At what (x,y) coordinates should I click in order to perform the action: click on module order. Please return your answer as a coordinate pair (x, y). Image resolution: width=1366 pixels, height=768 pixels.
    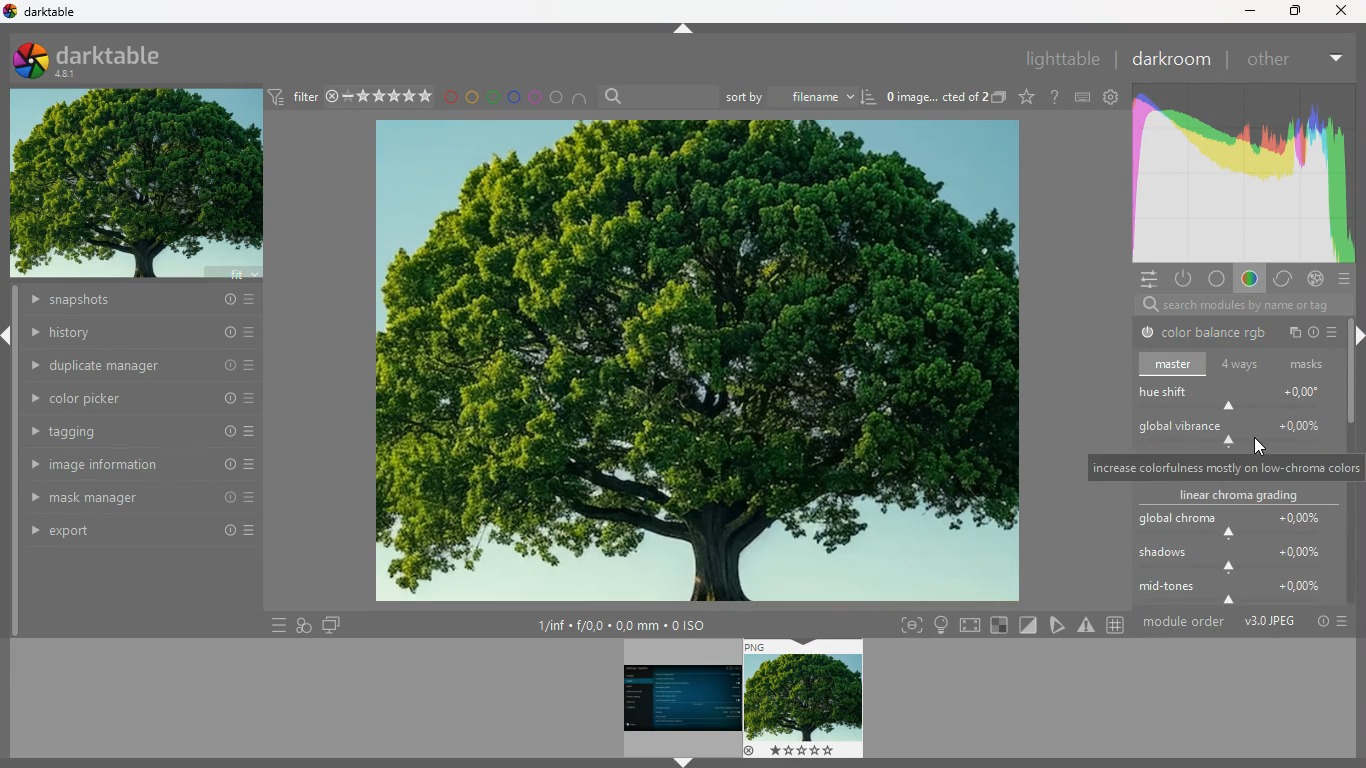
    Looking at the image, I should click on (1244, 621).